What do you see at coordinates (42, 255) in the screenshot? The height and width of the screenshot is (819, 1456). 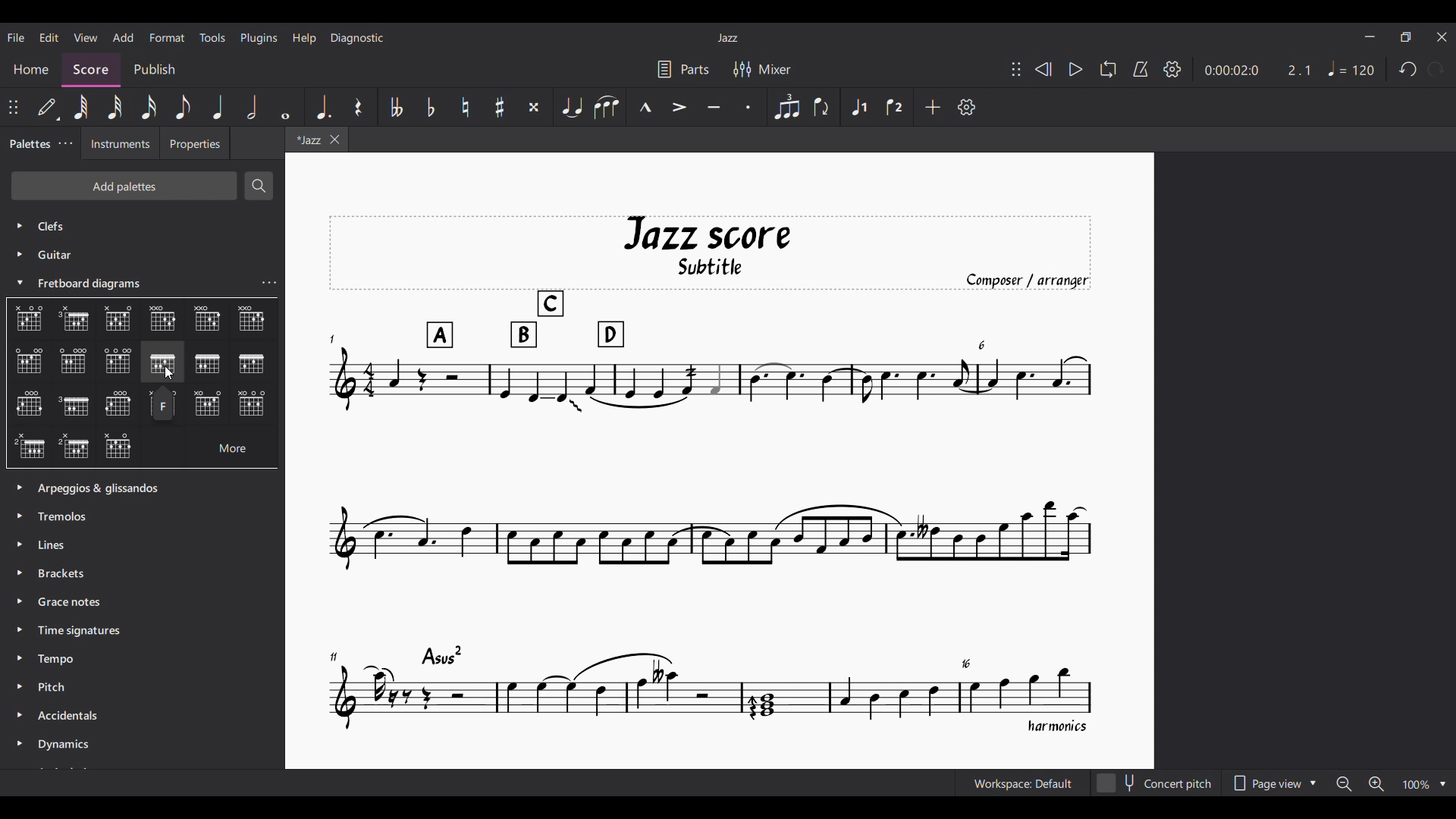 I see `Guitar` at bounding box center [42, 255].